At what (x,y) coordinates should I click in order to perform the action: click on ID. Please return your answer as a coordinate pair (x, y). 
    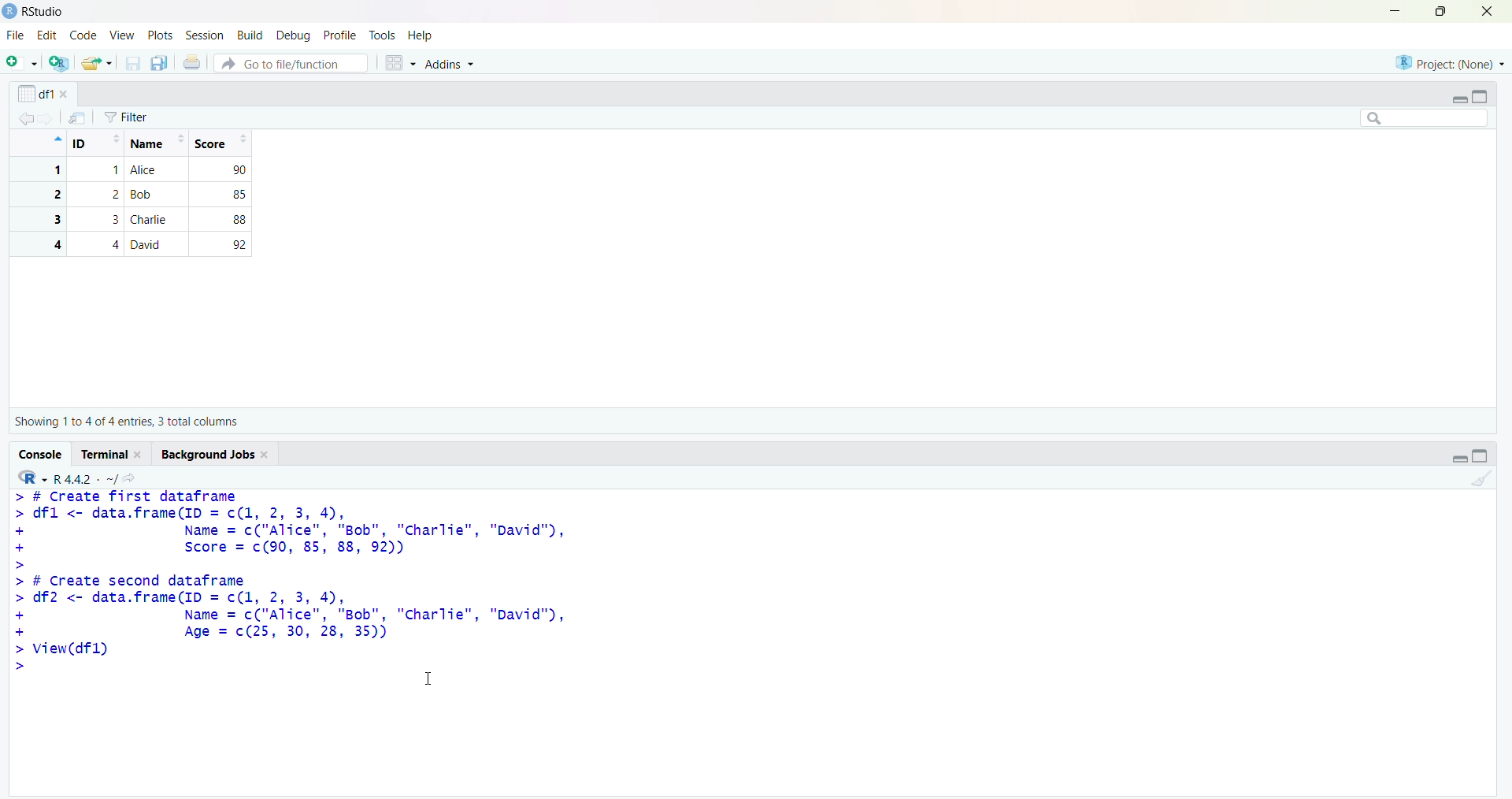
    Looking at the image, I should click on (97, 143).